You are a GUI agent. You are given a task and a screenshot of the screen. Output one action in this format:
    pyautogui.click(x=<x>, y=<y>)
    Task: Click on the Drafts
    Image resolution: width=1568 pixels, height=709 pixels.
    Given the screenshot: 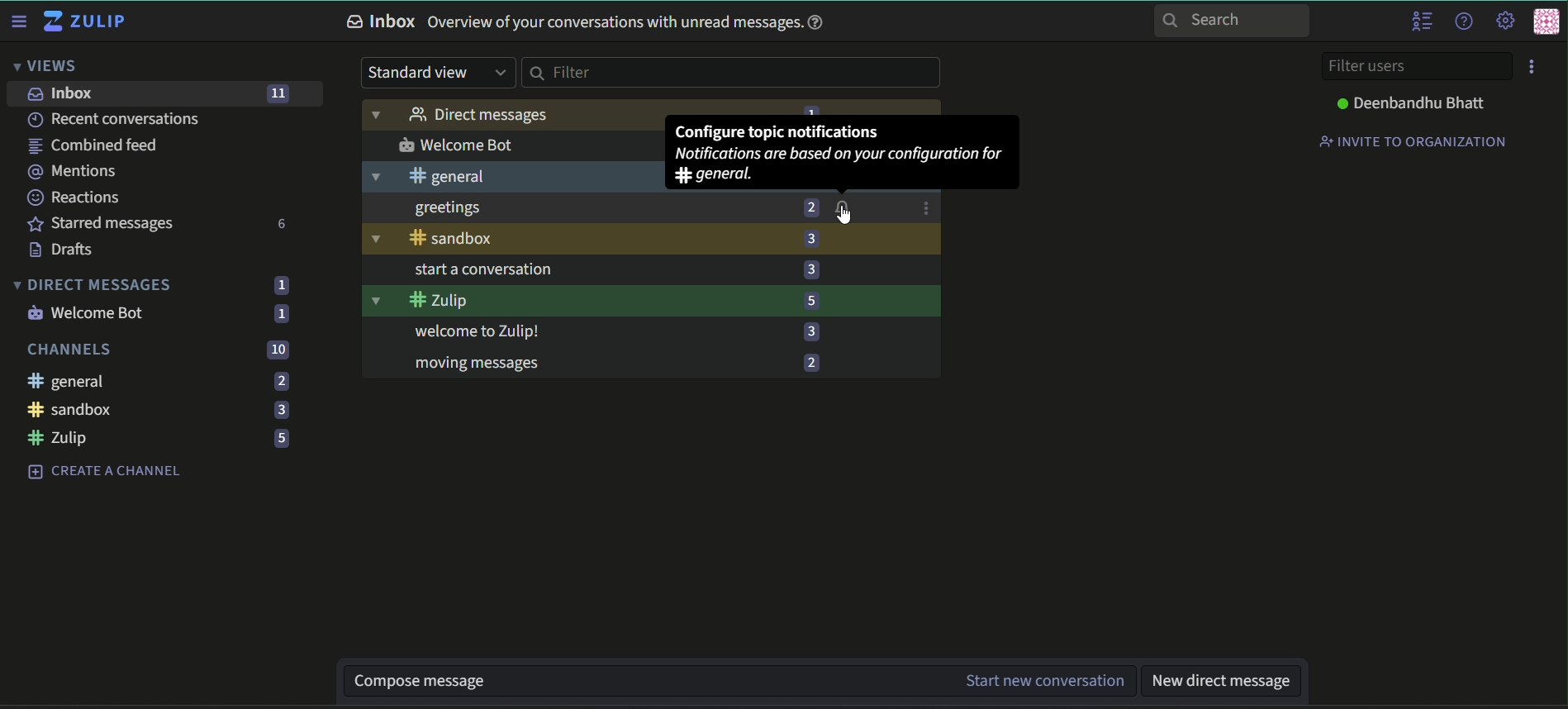 What is the action you would take?
    pyautogui.click(x=69, y=249)
    